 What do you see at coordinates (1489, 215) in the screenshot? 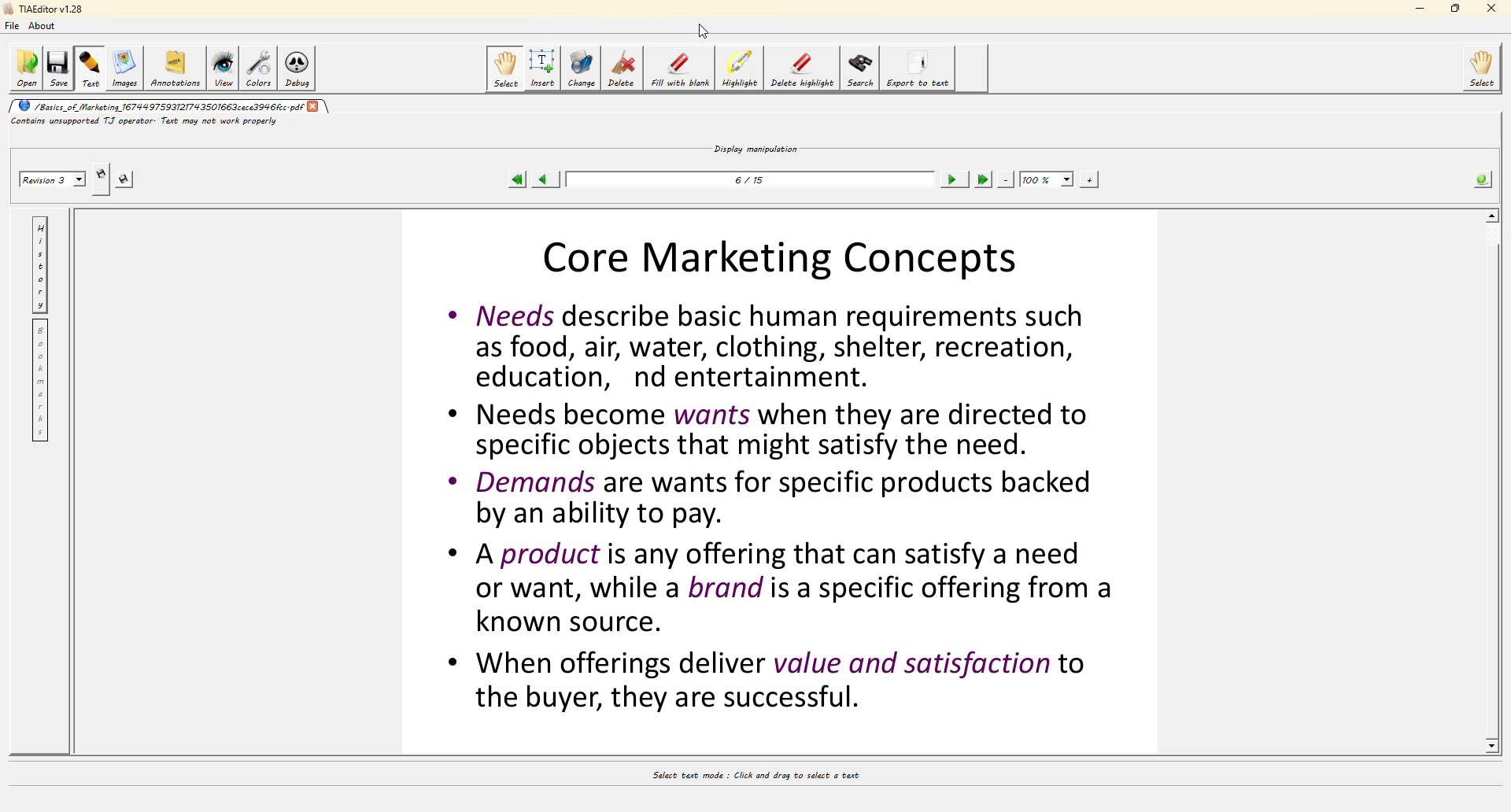
I see `scroll up` at bounding box center [1489, 215].